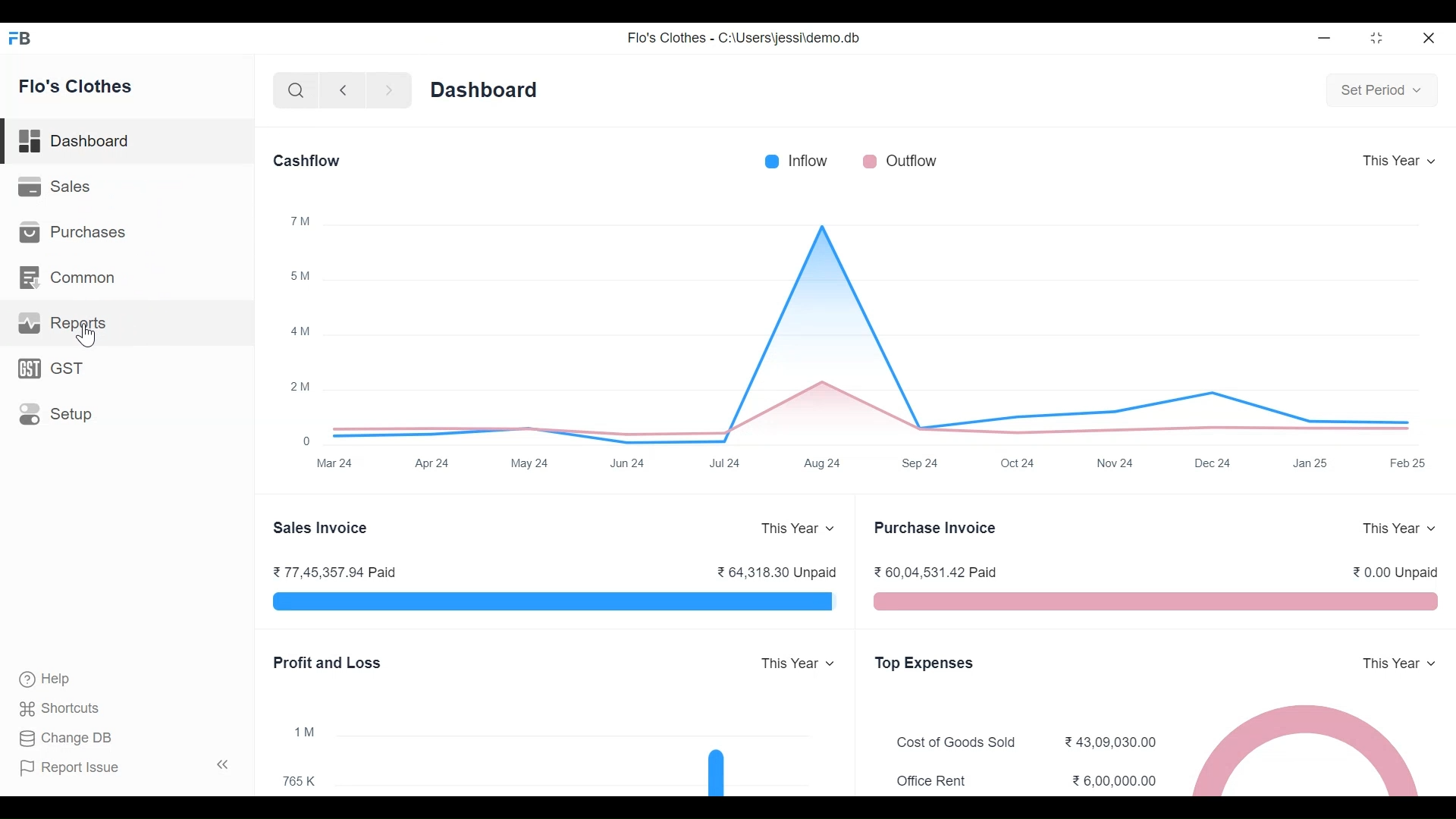  I want to click on This Year, so click(789, 663).